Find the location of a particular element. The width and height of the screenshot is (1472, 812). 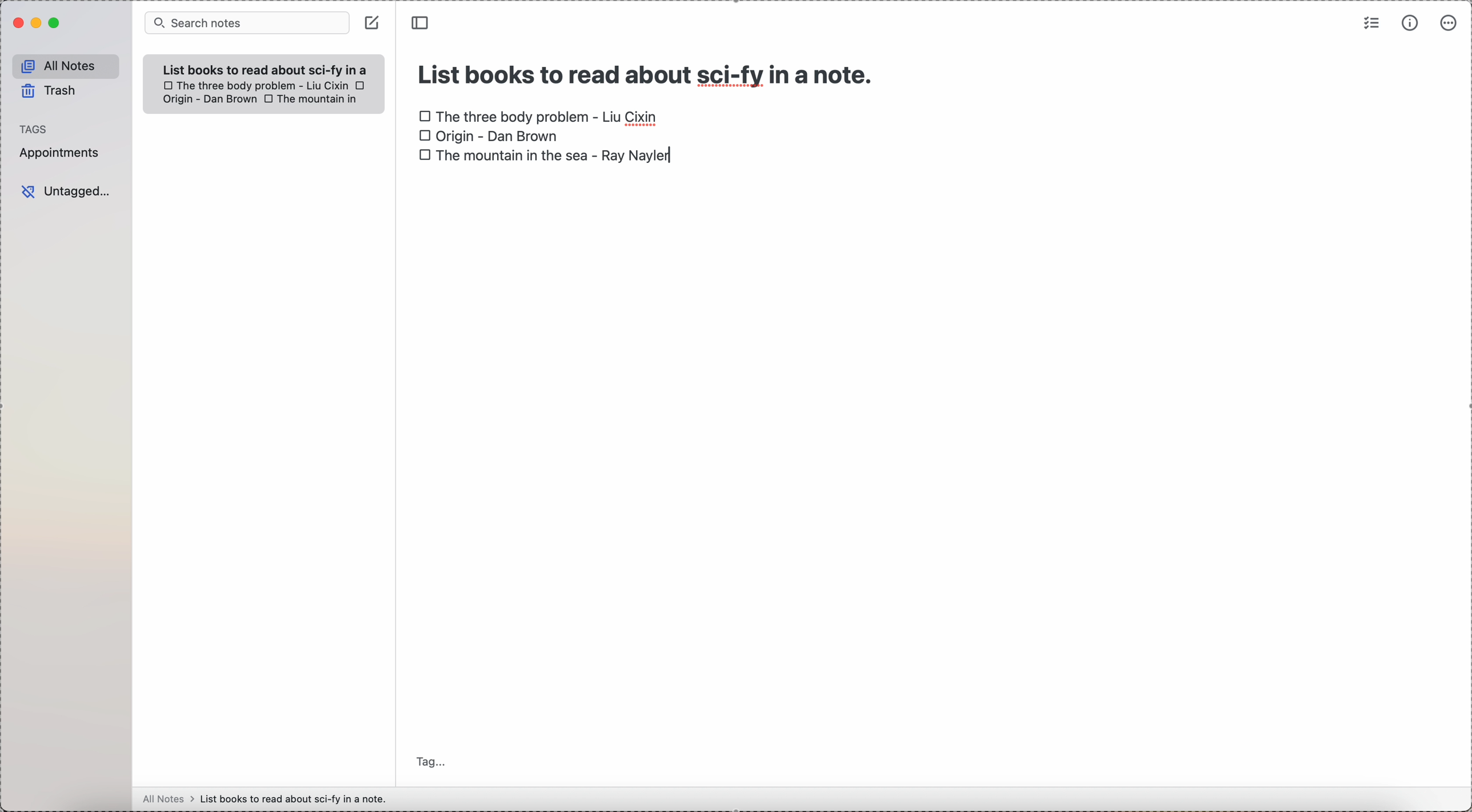

trash is located at coordinates (50, 91).